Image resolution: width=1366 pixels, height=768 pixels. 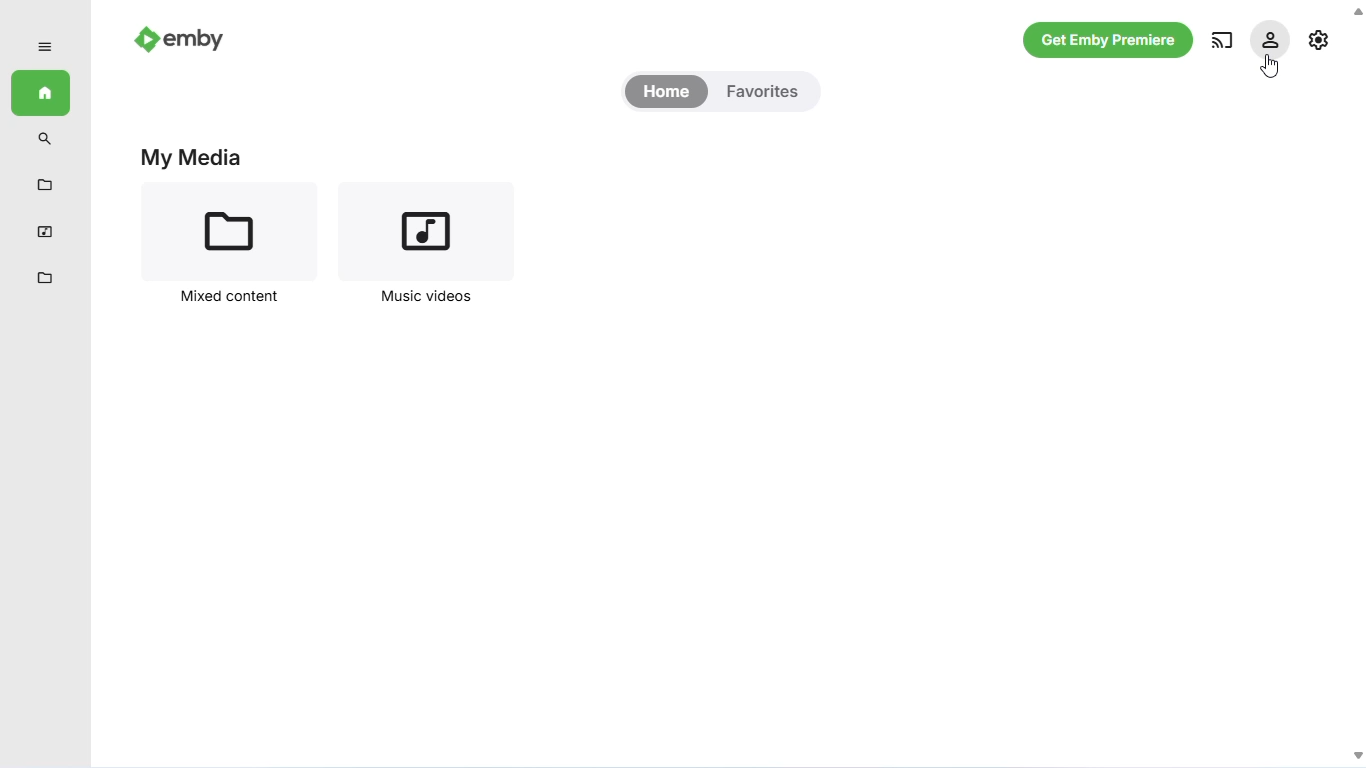 What do you see at coordinates (1320, 39) in the screenshot?
I see `manage emby server` at bounding box center [1320, 39].